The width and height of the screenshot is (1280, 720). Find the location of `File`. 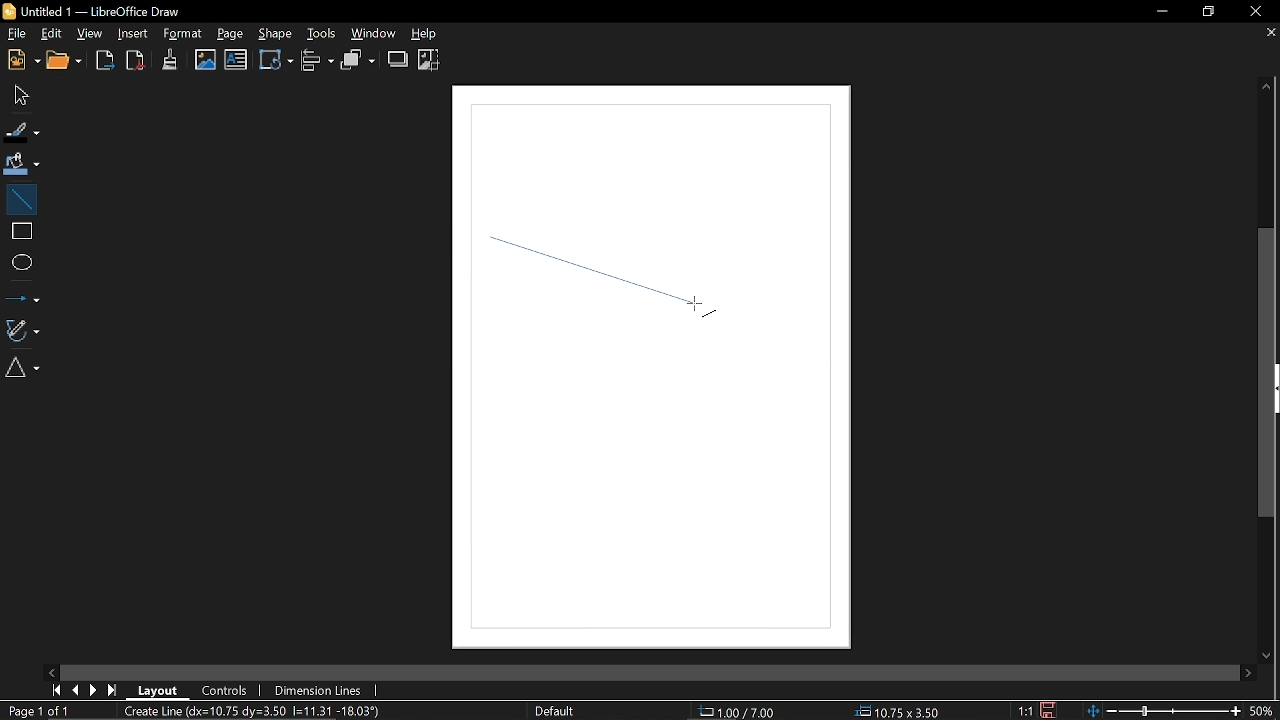

File is located at coordinates (16, 33).